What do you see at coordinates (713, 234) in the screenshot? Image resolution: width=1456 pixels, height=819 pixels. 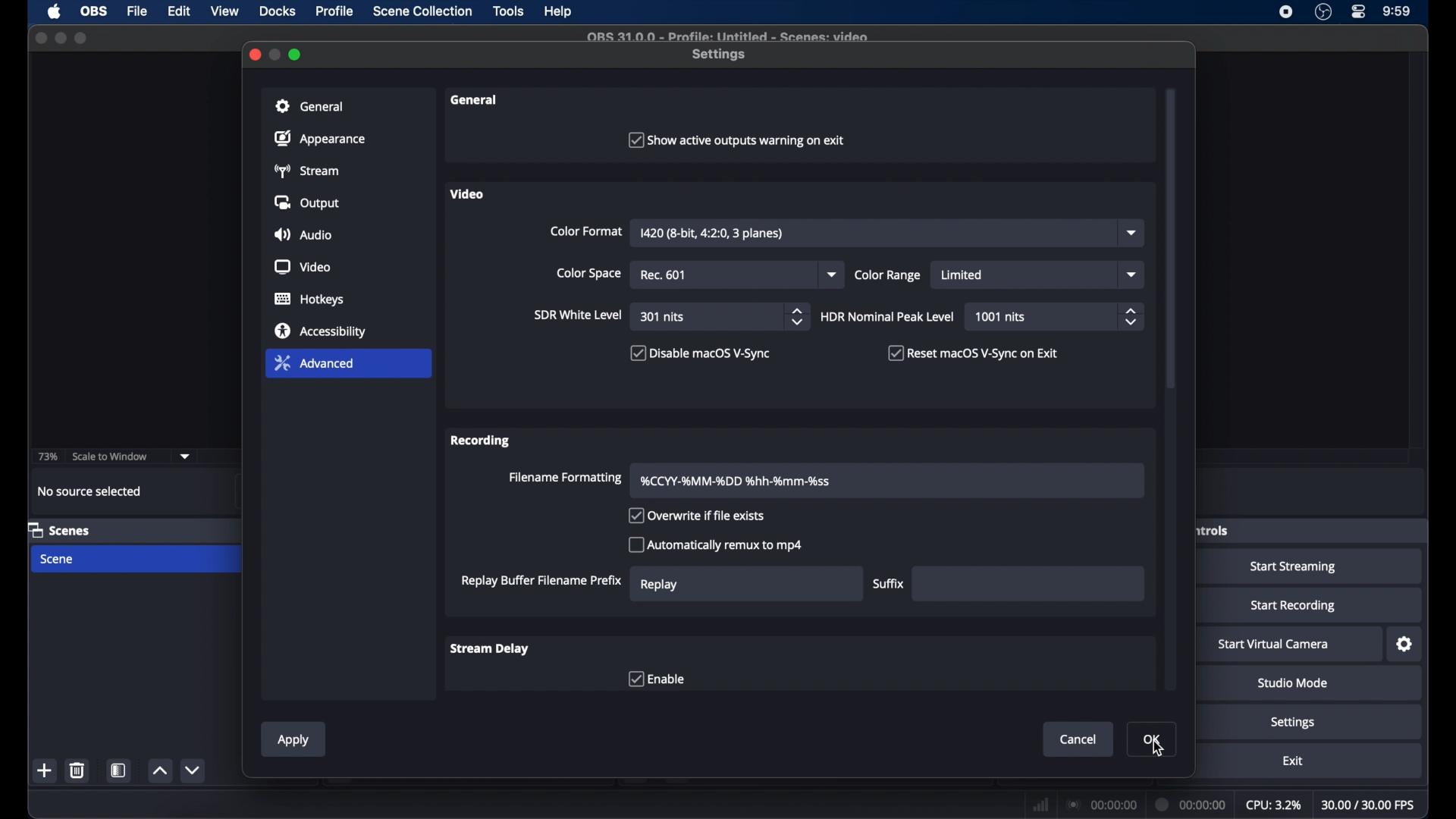 I see `I429` at bounding box center [713, 234].